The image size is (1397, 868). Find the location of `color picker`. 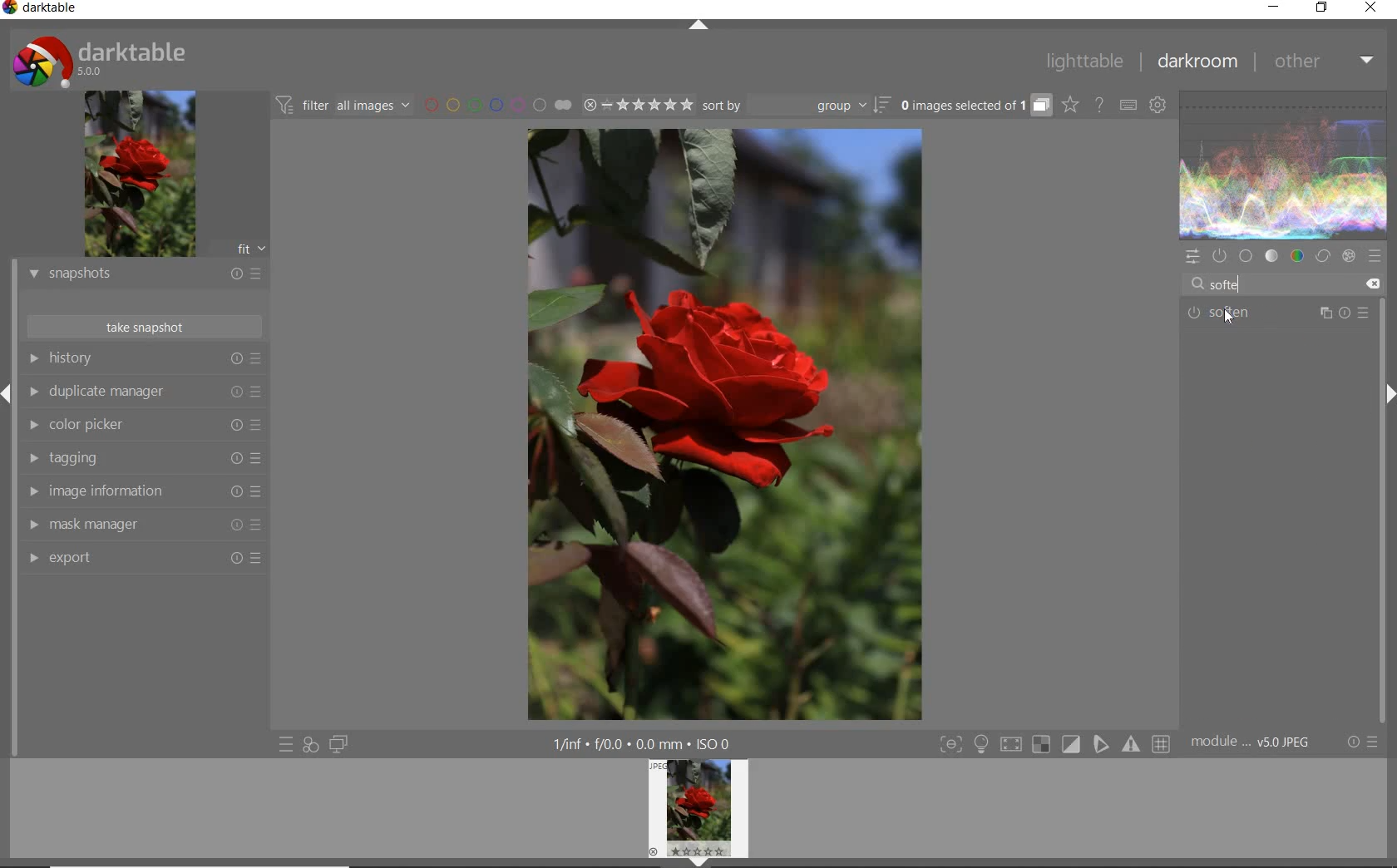

color picker is located at coordinates (144, 427).